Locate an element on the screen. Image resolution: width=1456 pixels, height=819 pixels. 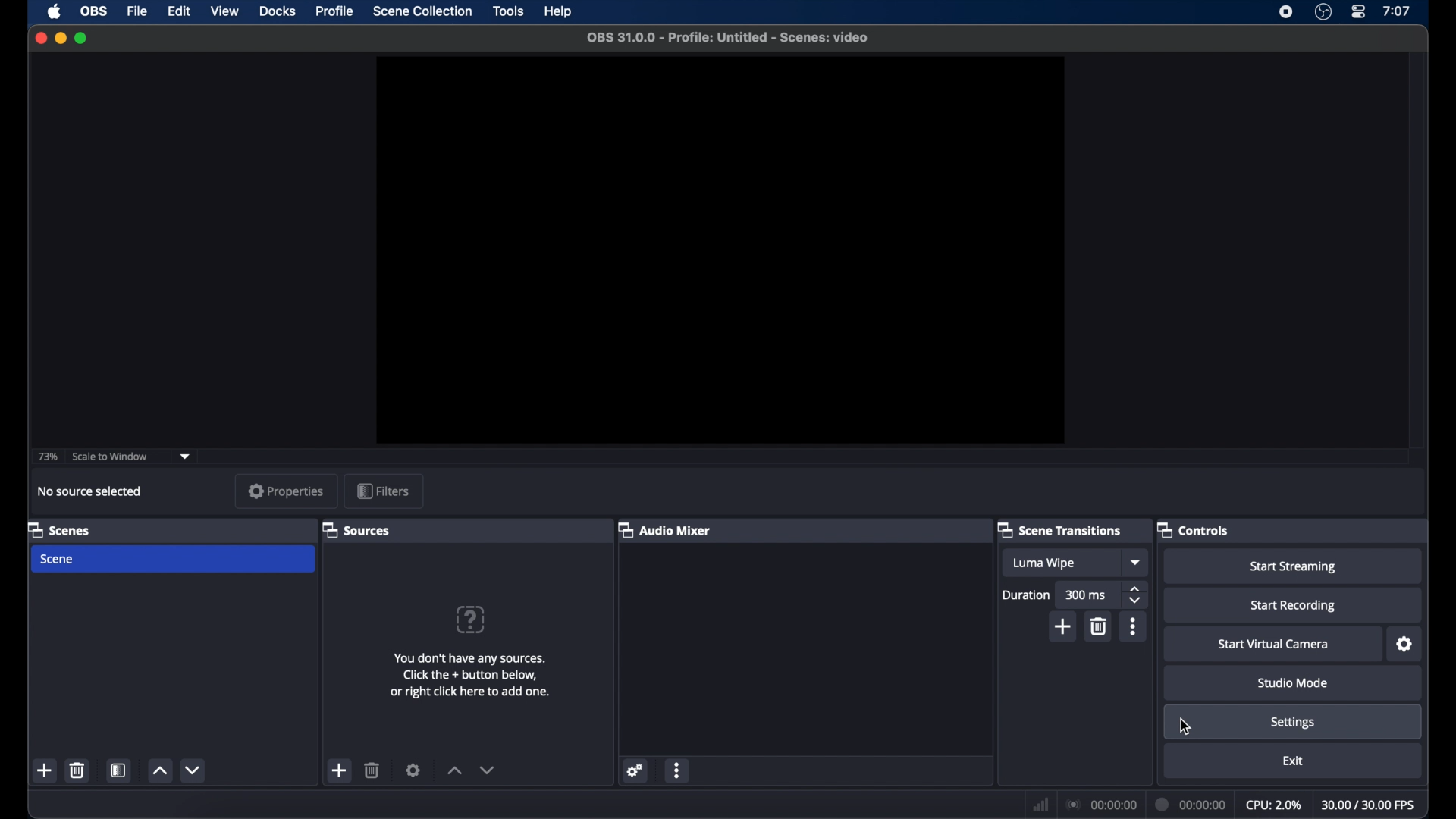
connection is located at coordinates (1100, 805).